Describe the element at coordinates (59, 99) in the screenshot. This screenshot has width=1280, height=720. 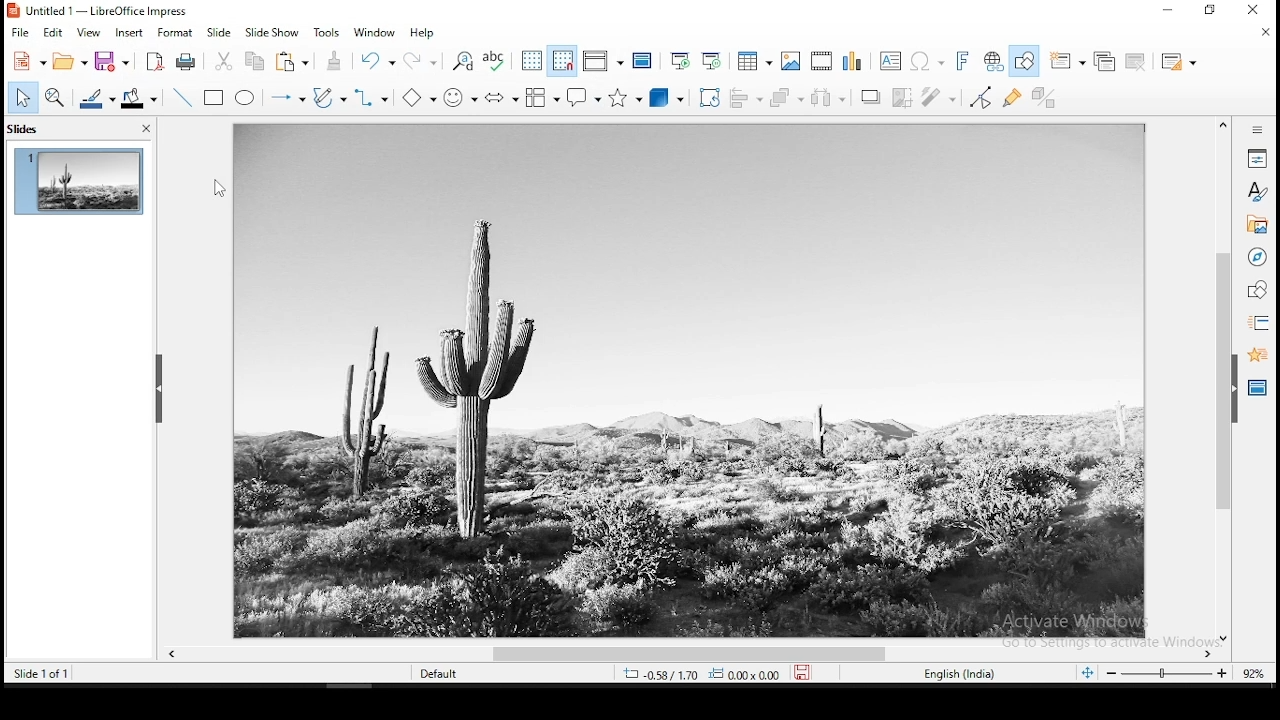
I see `zoom and pan` at that location.